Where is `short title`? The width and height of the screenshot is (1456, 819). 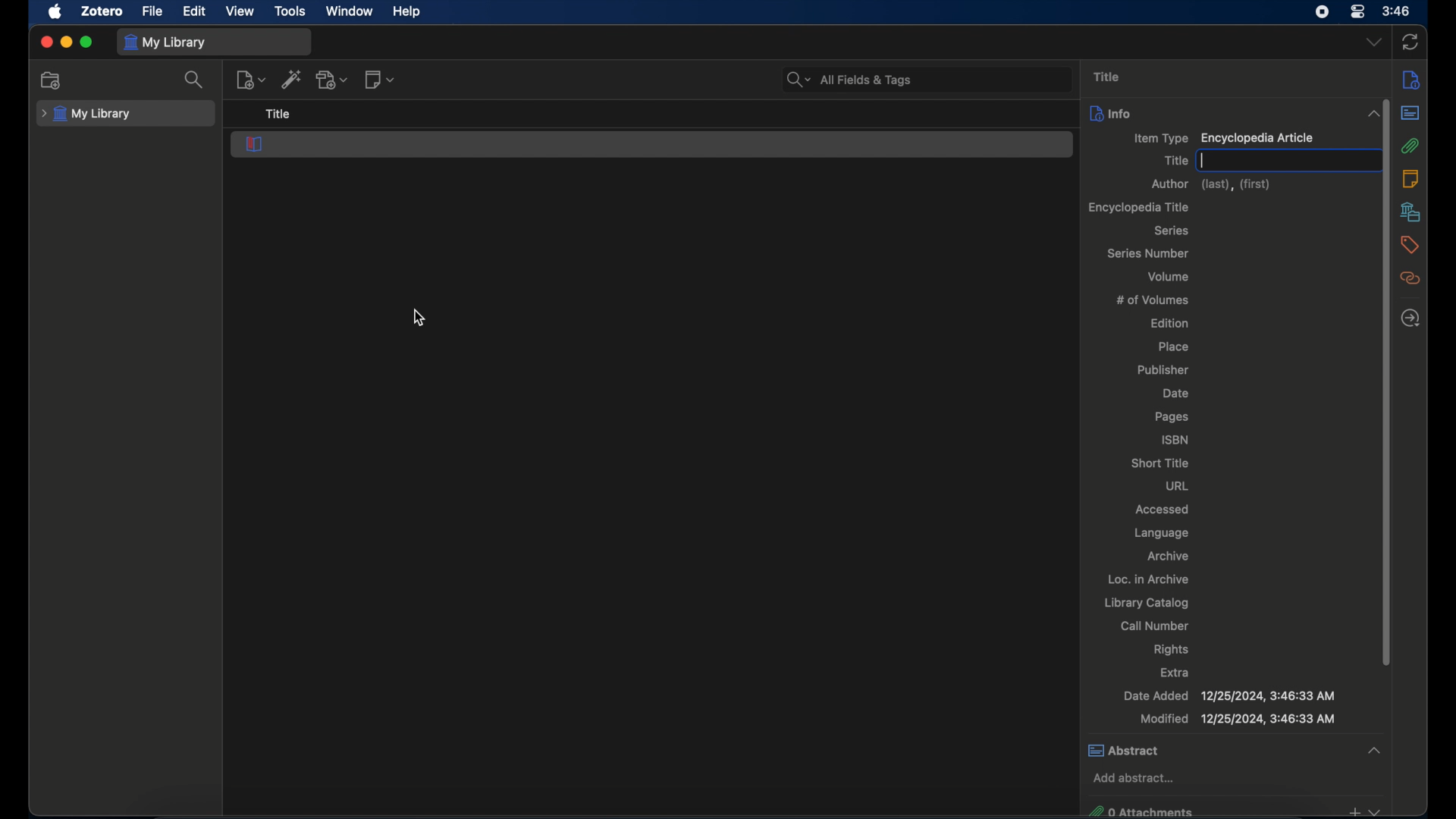
short title is located at coordinates (1161, 463).